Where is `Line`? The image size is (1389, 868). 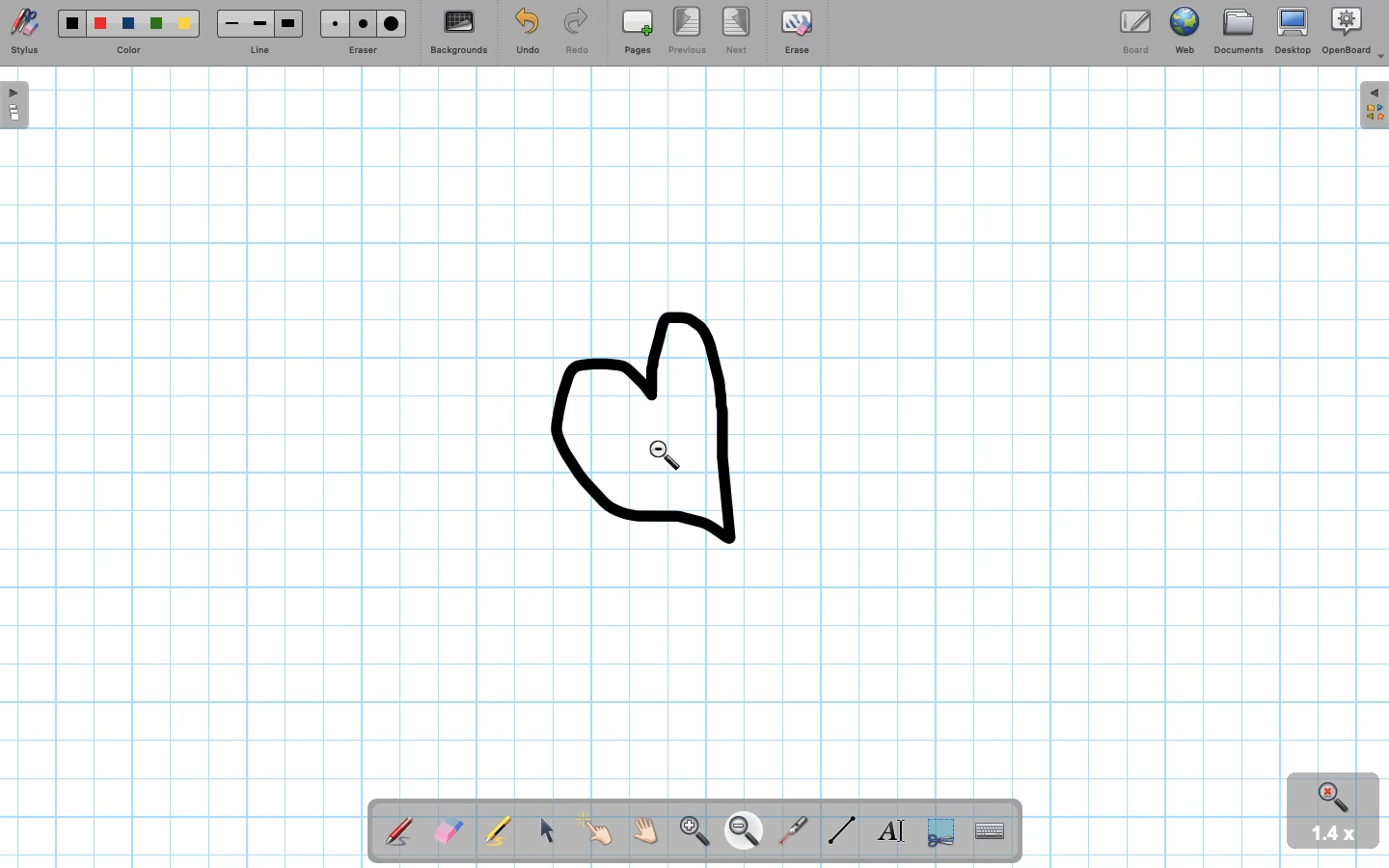 Line is located at coordinates (259, 32).